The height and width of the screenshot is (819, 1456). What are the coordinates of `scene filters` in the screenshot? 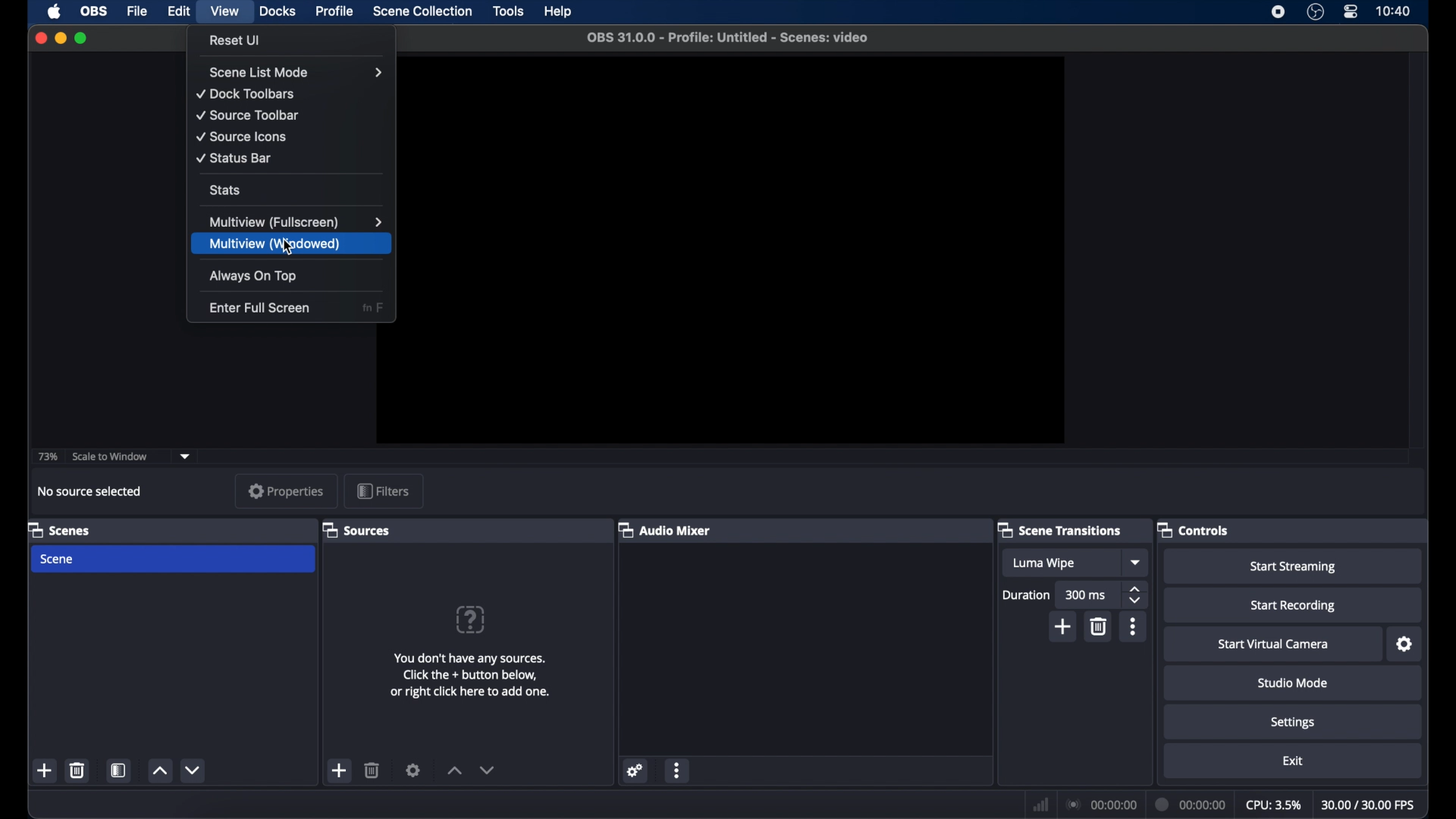 It's located at (118, 770).